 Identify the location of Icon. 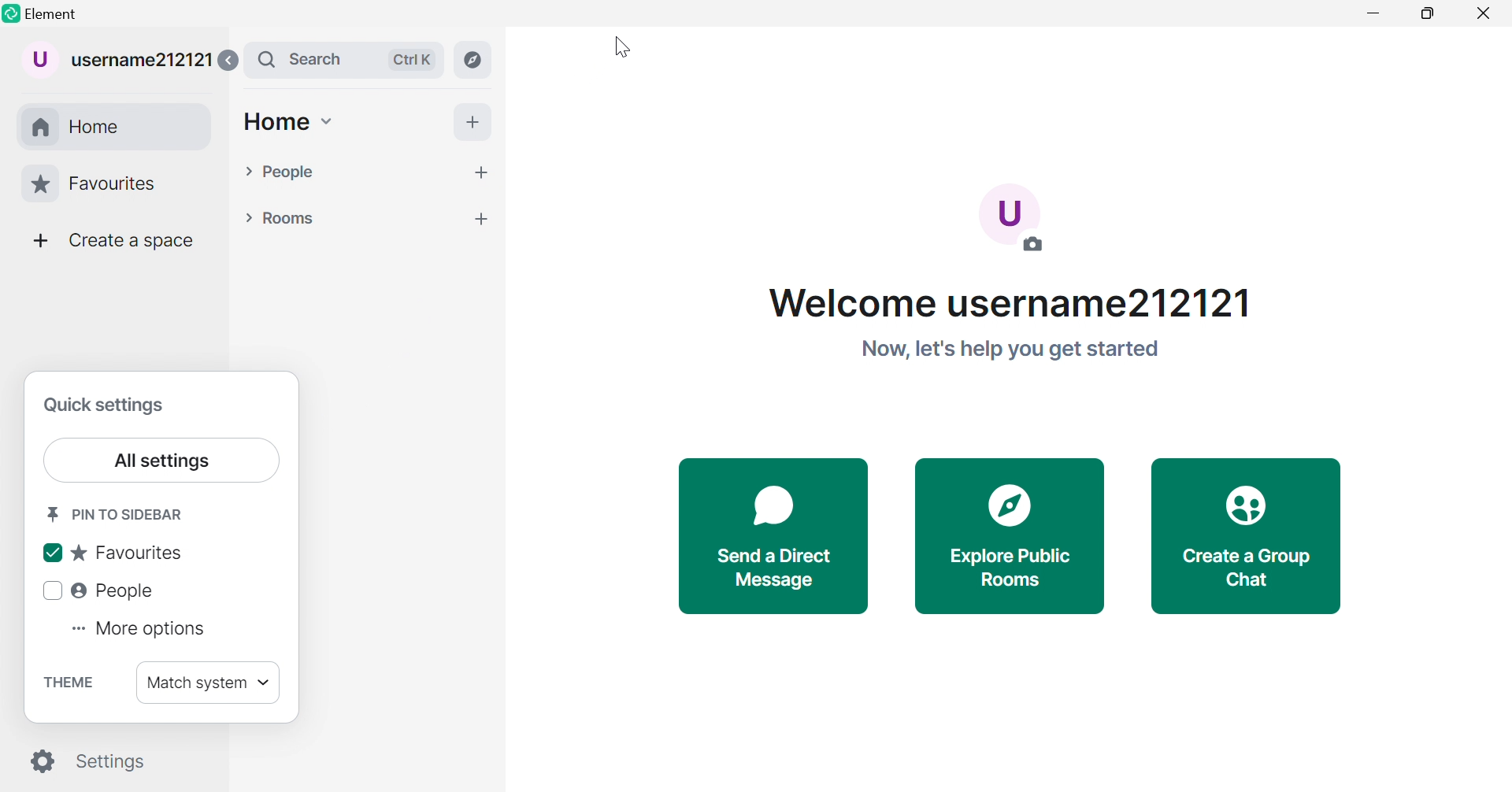
(1247, 508).